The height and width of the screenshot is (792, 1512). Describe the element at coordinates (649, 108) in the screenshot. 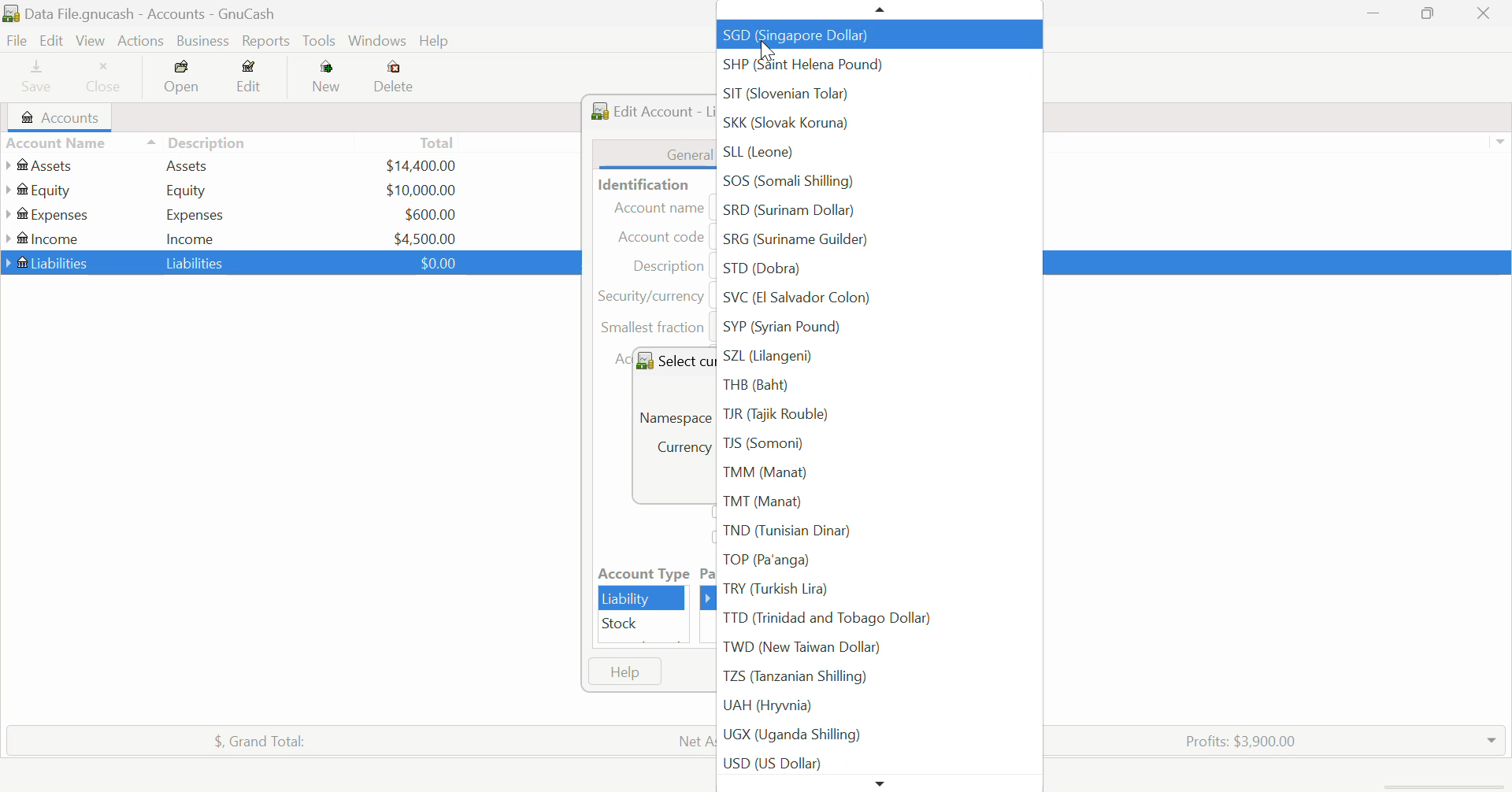

I see `Edit Account - Liabilities` at that location.